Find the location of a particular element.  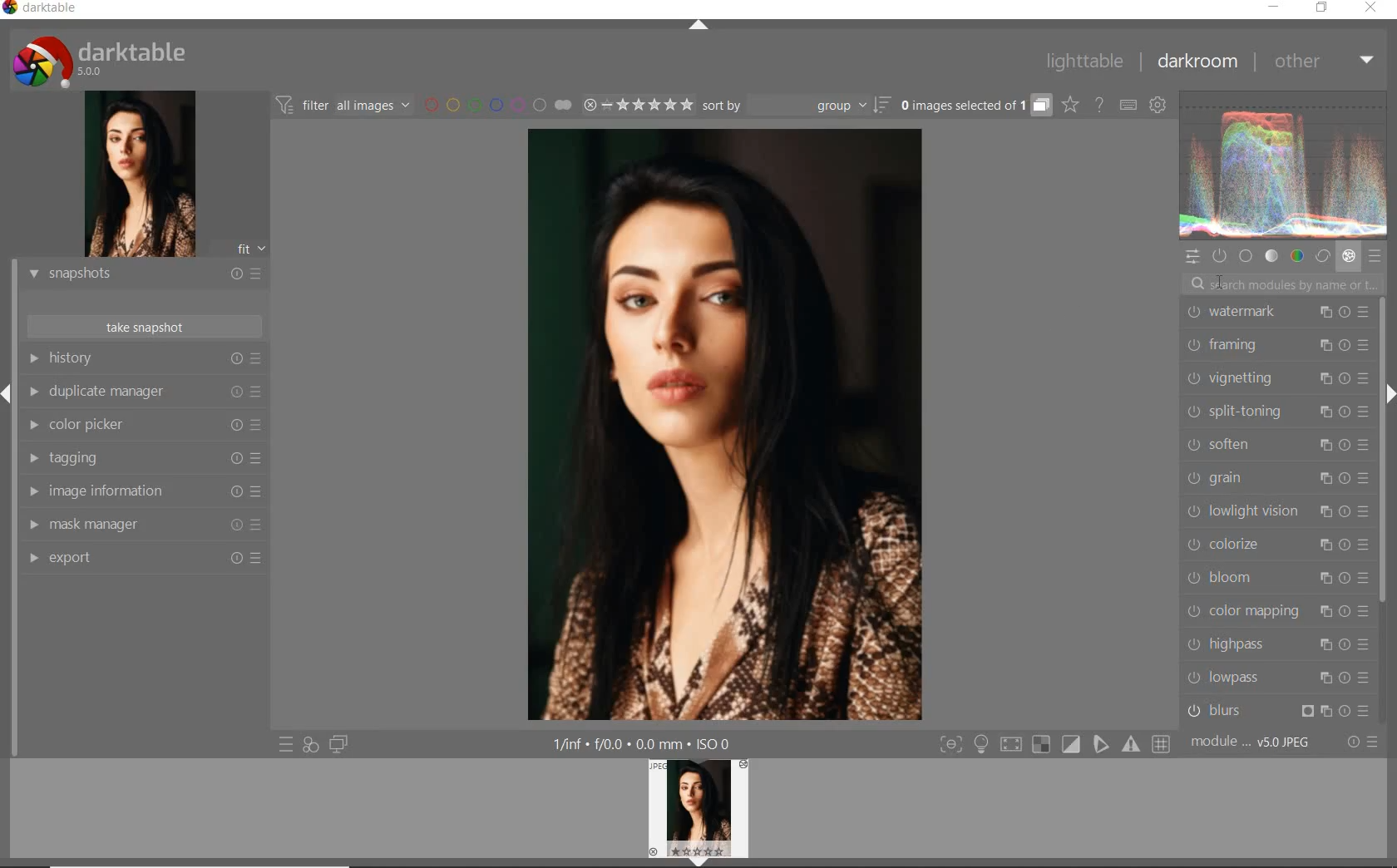

other is located at coordinates (1320, 62).